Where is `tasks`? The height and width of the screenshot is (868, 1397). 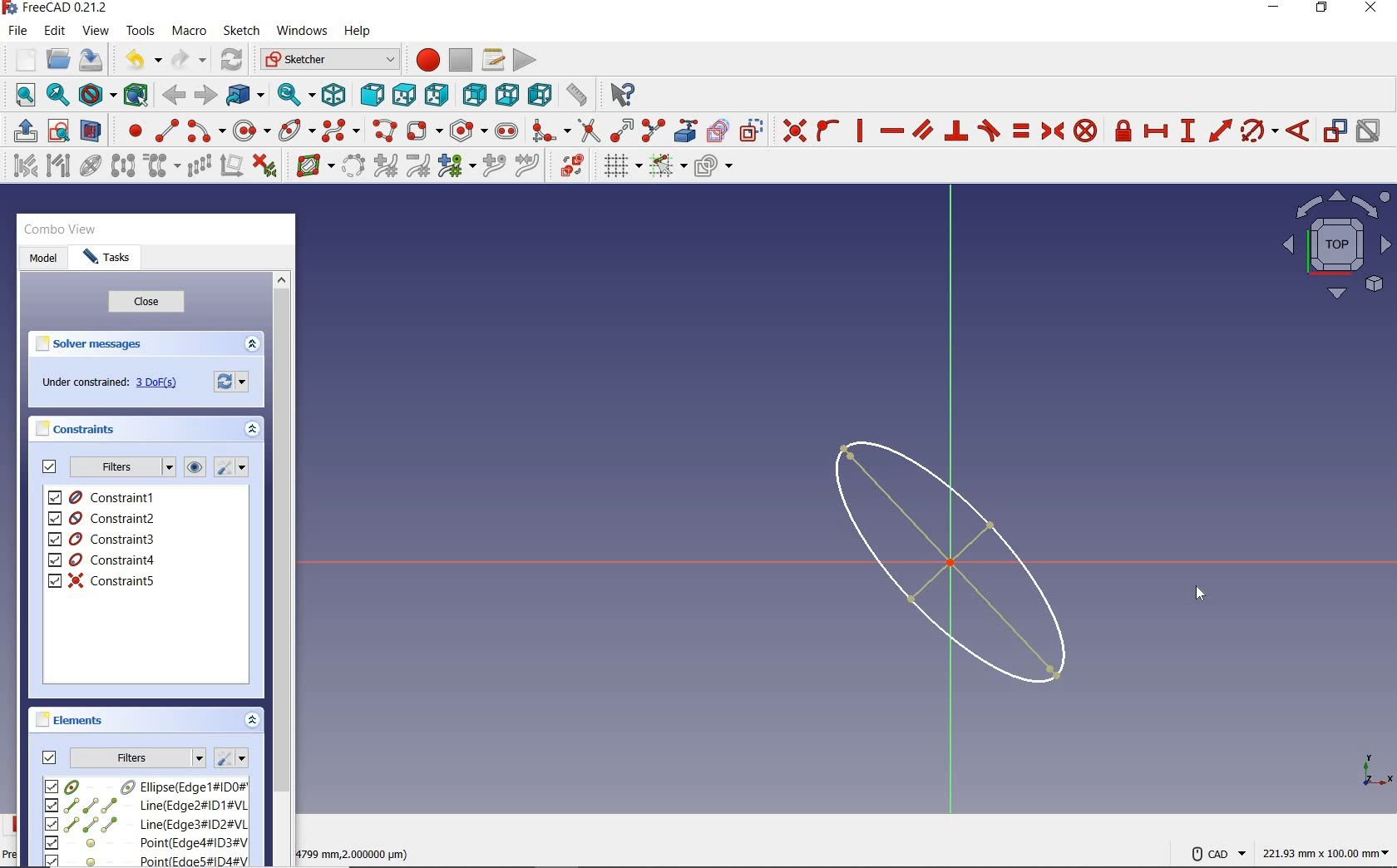
tasks is located at coordinates (107, 259).